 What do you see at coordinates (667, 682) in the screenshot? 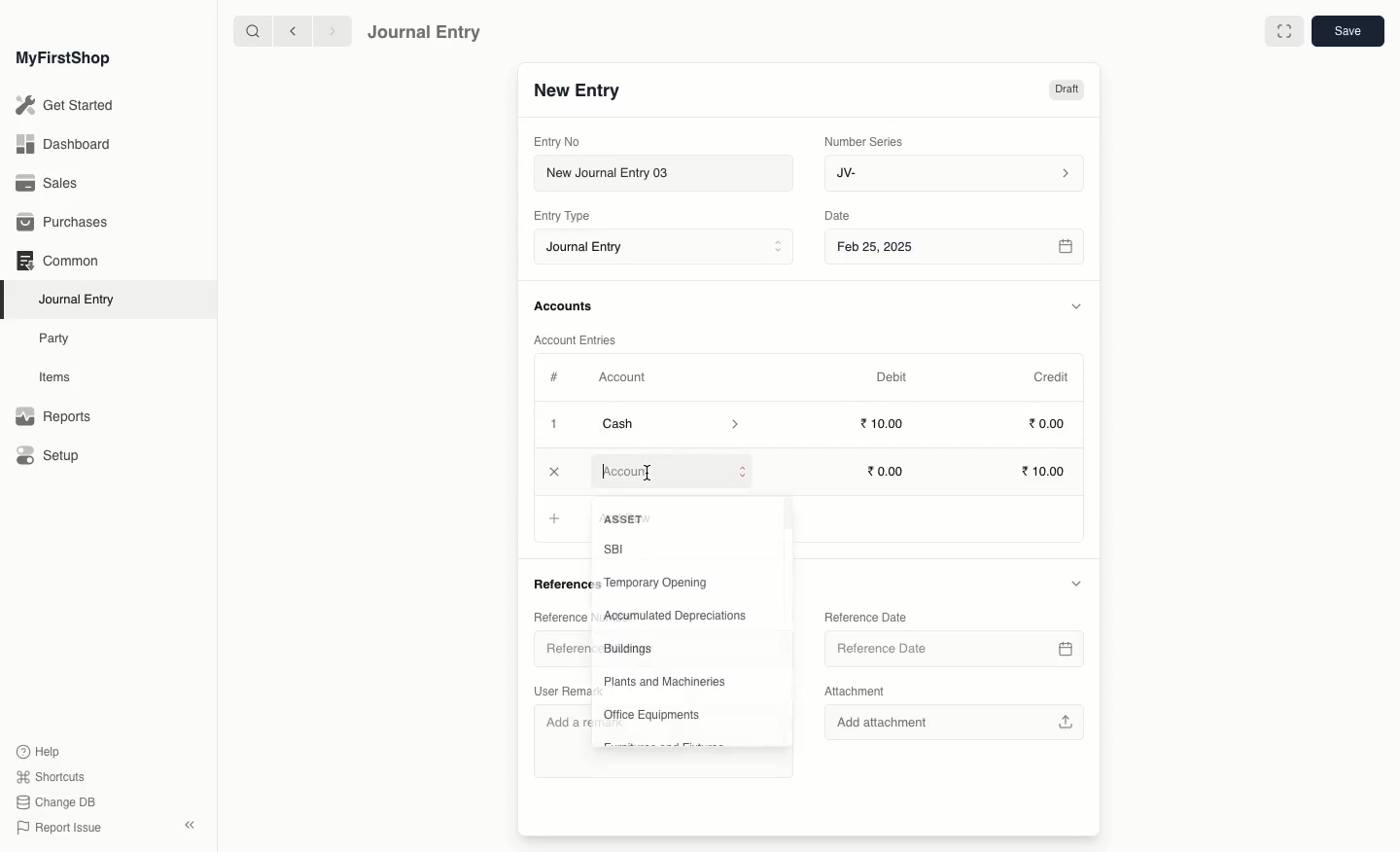
I see `Plants and Machineries` at bounding box center [667, 682].